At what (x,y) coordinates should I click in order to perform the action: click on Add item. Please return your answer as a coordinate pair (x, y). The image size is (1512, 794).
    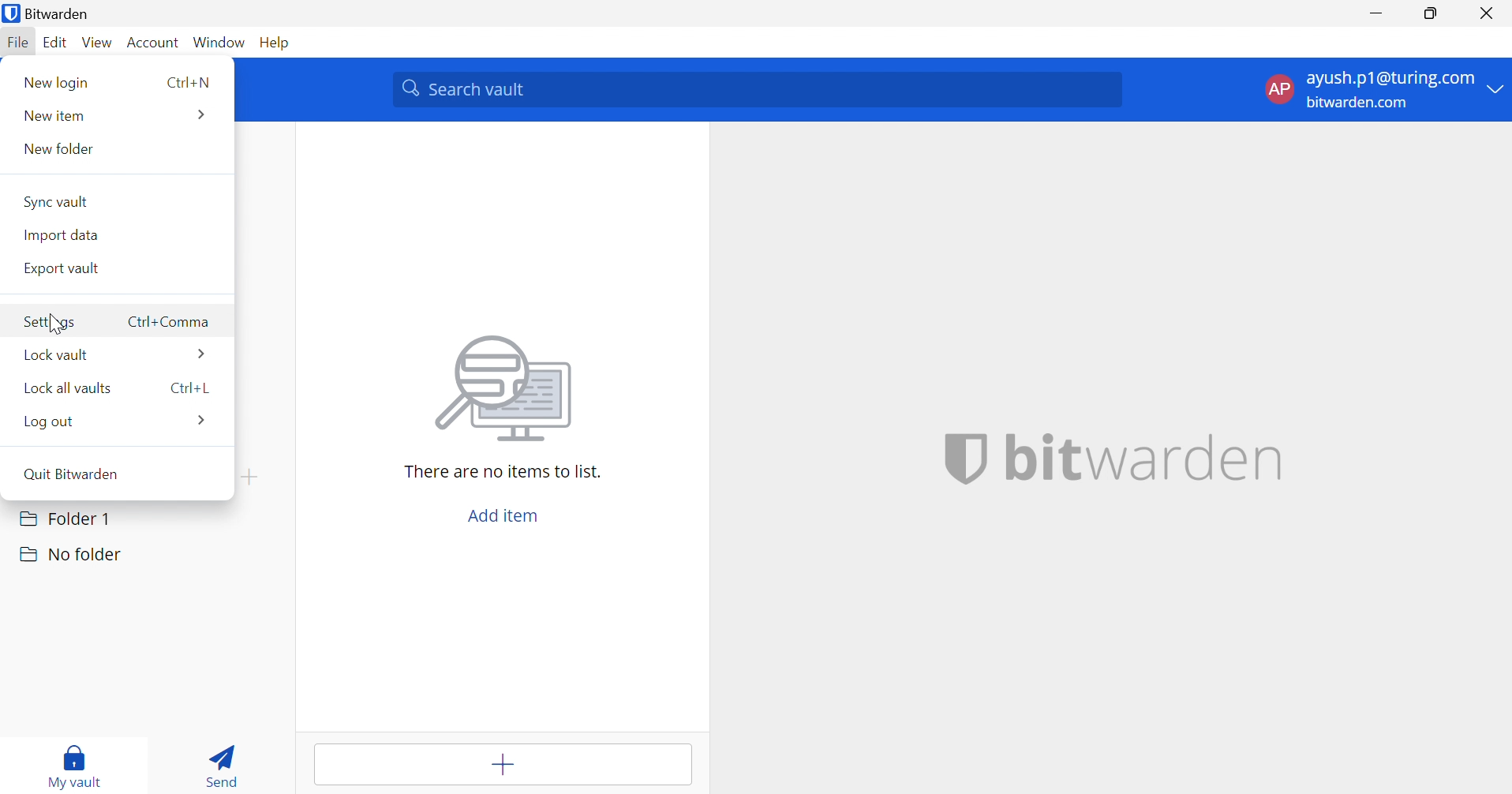
    Looking at the image, I should click on (501, 762).